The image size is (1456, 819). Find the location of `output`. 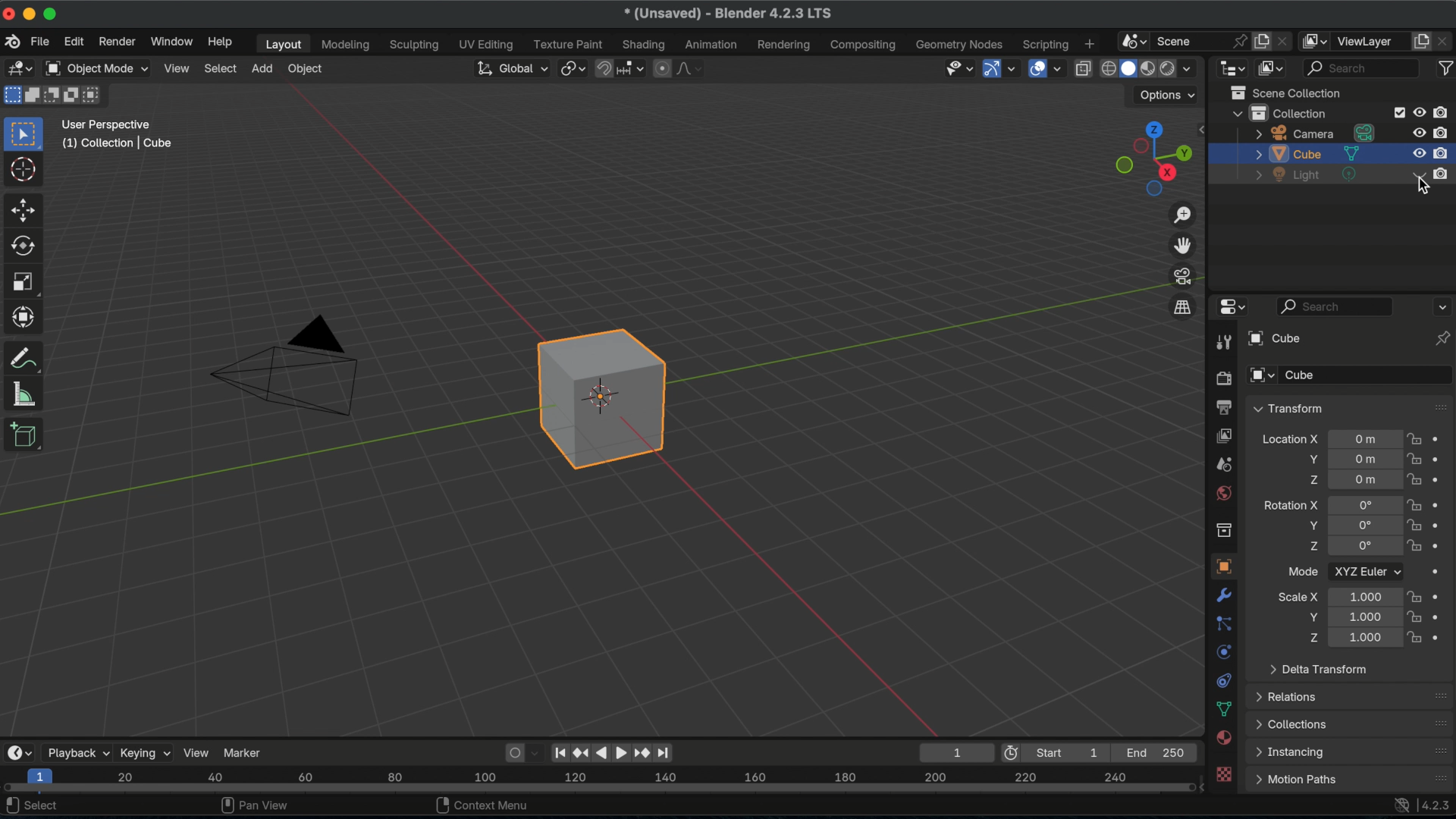

output is located at coordinates (1225, 406).